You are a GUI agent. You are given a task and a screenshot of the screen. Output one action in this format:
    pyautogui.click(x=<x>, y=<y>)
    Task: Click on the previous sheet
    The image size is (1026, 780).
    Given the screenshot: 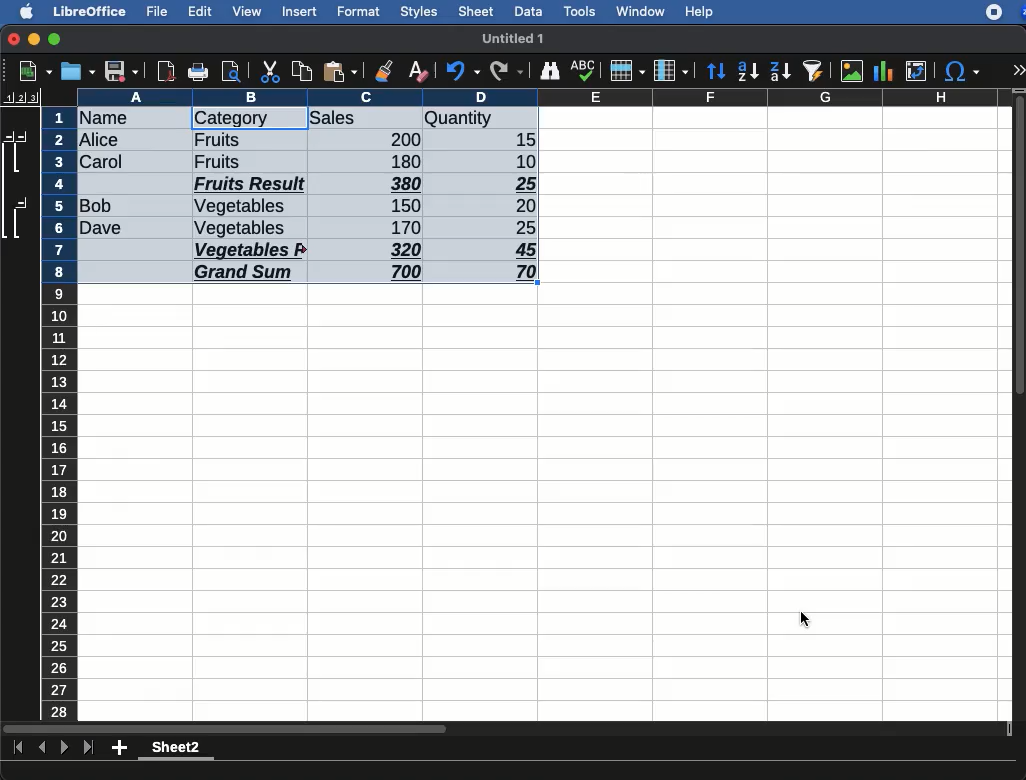 What is the action you would take?
    pyautogui.click(x=44, y=748)
    